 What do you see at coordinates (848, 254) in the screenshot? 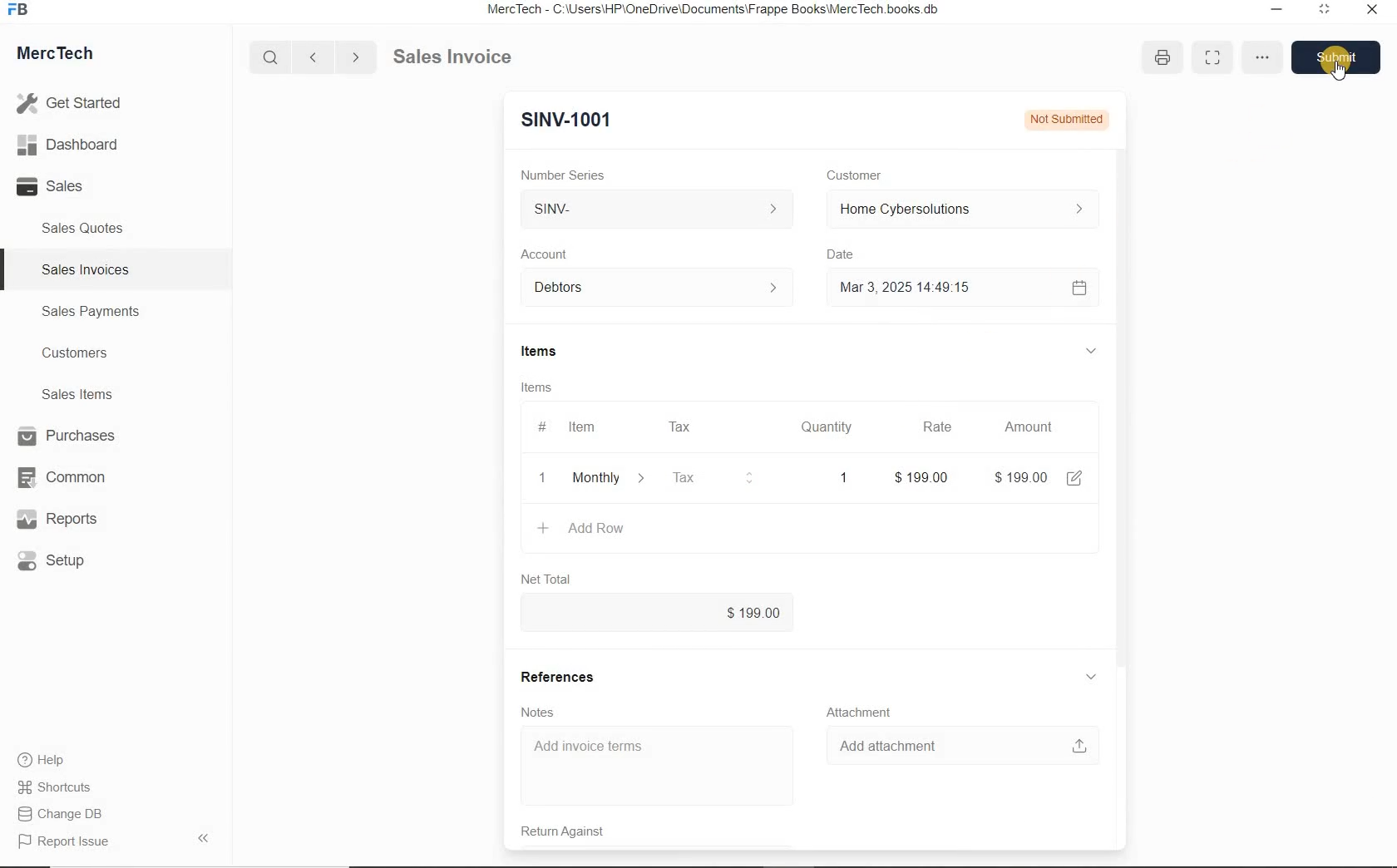
I see `Date` at bounding box center [848, 254].